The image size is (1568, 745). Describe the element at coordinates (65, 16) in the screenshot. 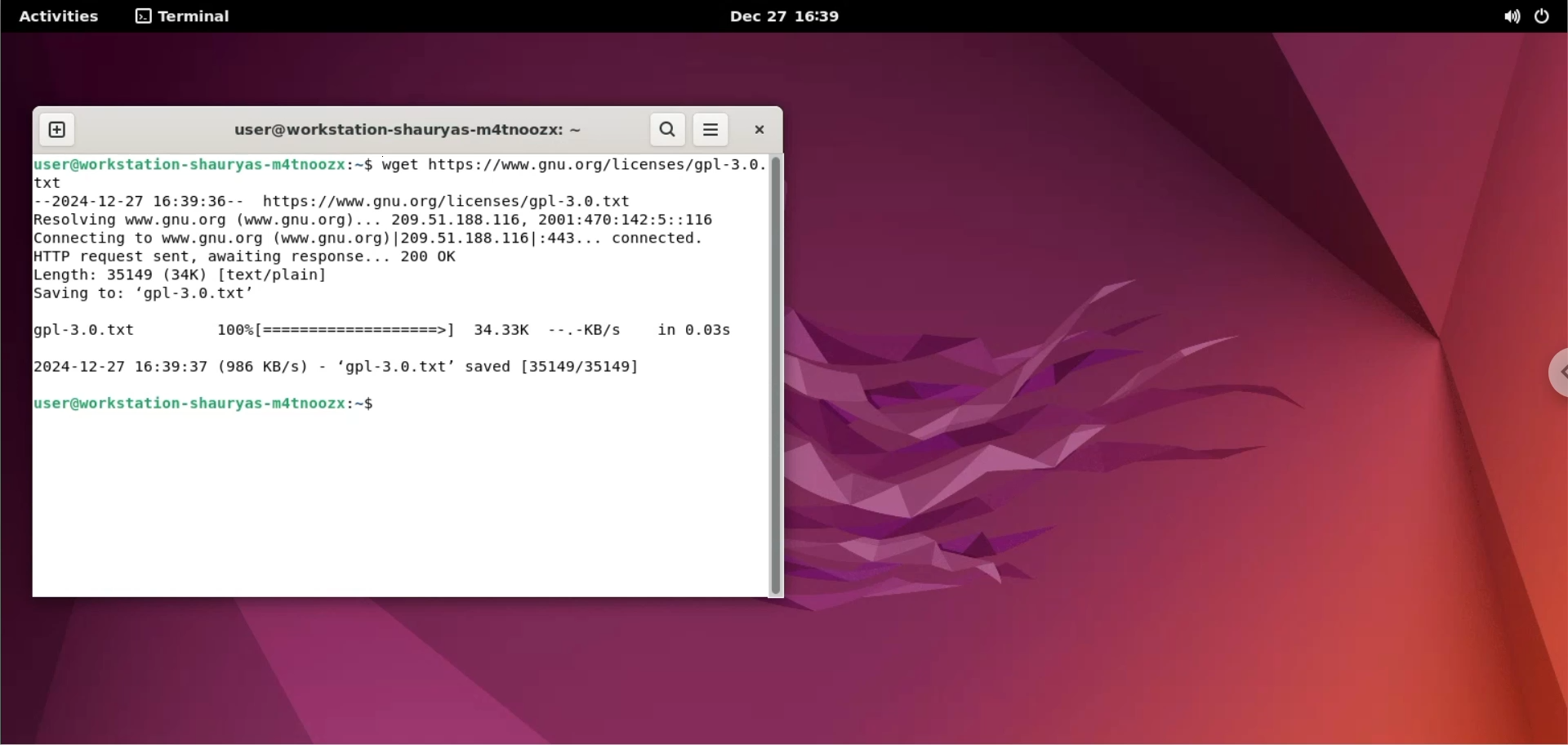

I see `Activities` at that location.